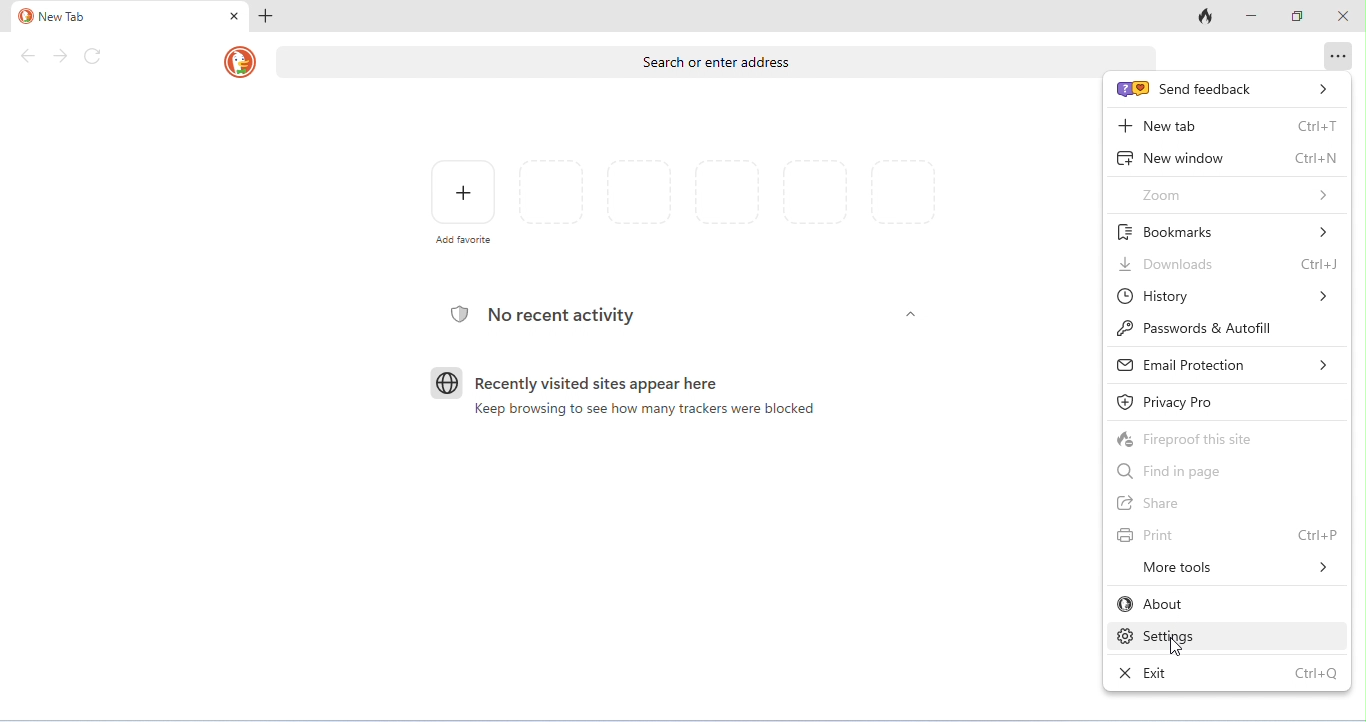 The height and width of the screenshot is (722, 1366). Describe the element at coordinates (461, 201) in the screenshot. I see `add favorite` at that location.